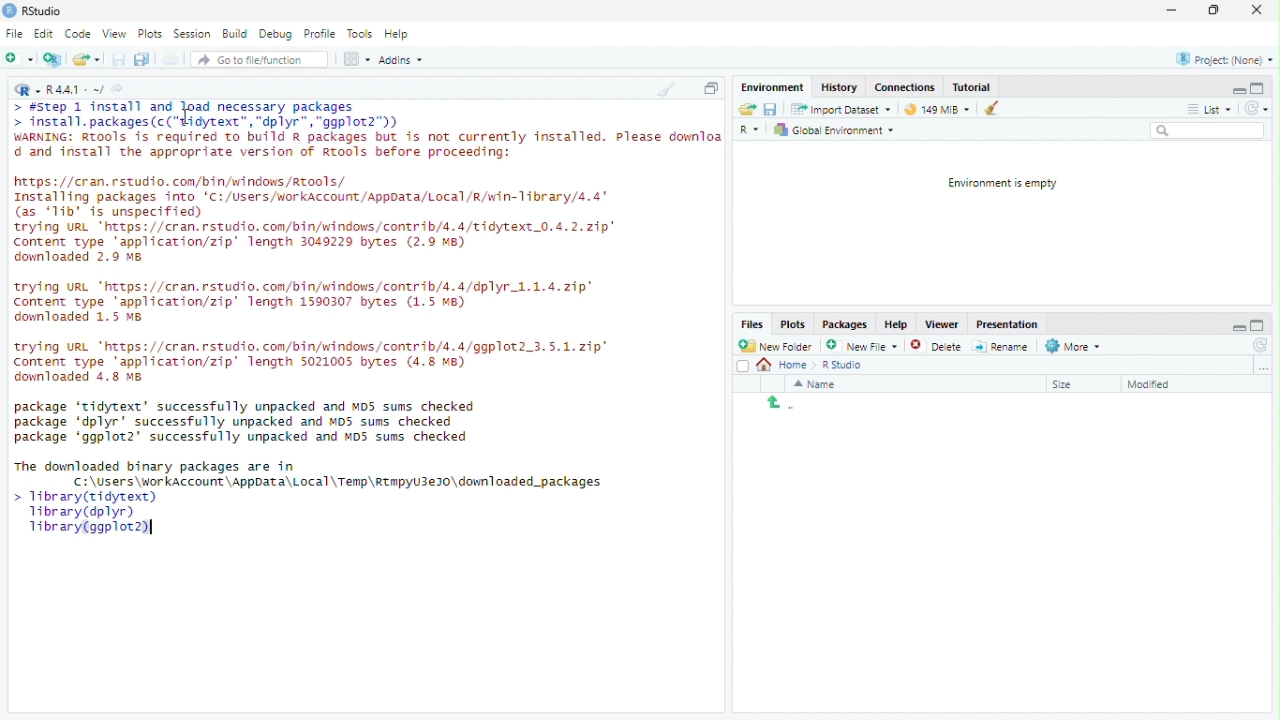 This screenshot has width=1280, height=720. I want to click on Help, so click(897, 323).